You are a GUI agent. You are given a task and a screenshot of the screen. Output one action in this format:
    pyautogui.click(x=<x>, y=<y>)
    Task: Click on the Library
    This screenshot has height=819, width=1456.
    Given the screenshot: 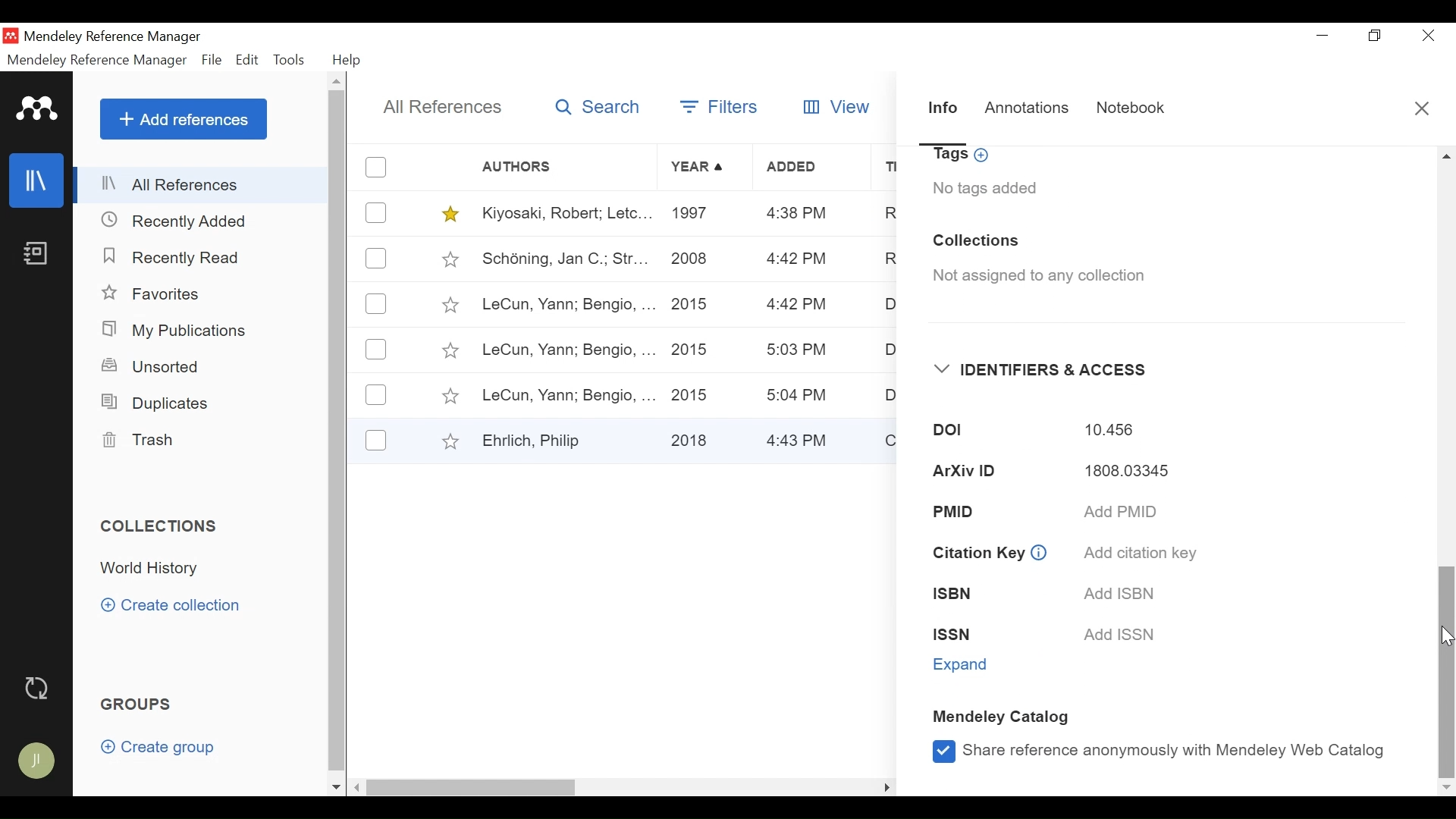 What is the action you would take?
    pyautogui.click(x=34, y=180)
    